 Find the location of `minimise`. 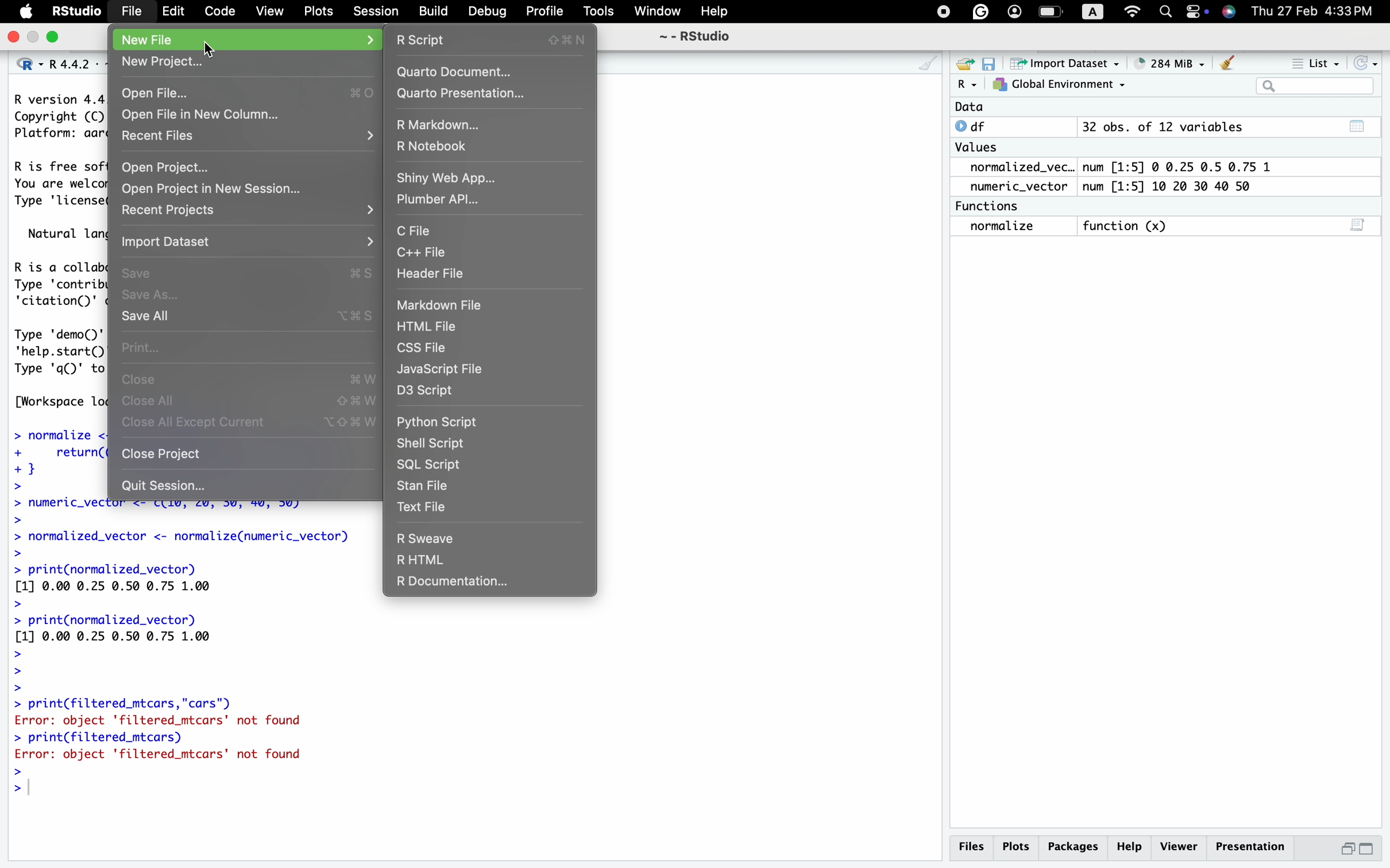

minimise is located at coordinates (33, 36).